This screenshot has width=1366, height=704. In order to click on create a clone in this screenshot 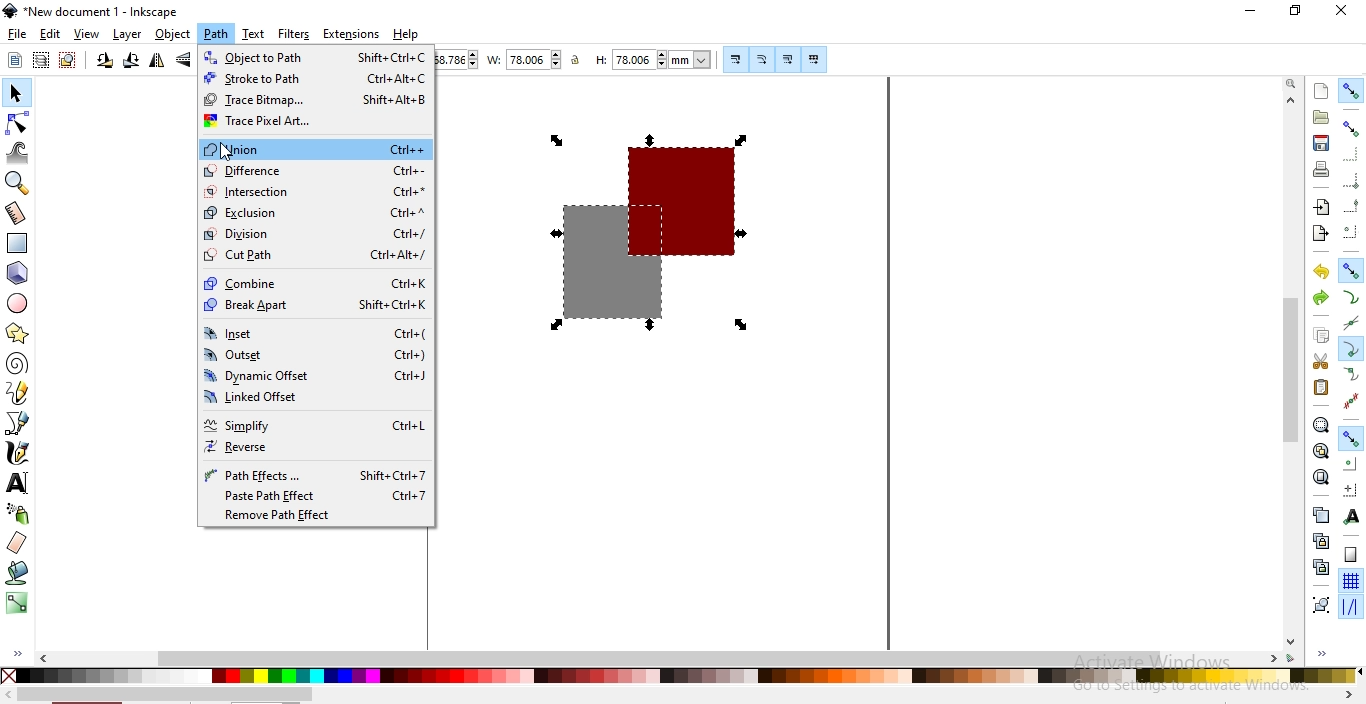, I will do `click(1320, 541)`.